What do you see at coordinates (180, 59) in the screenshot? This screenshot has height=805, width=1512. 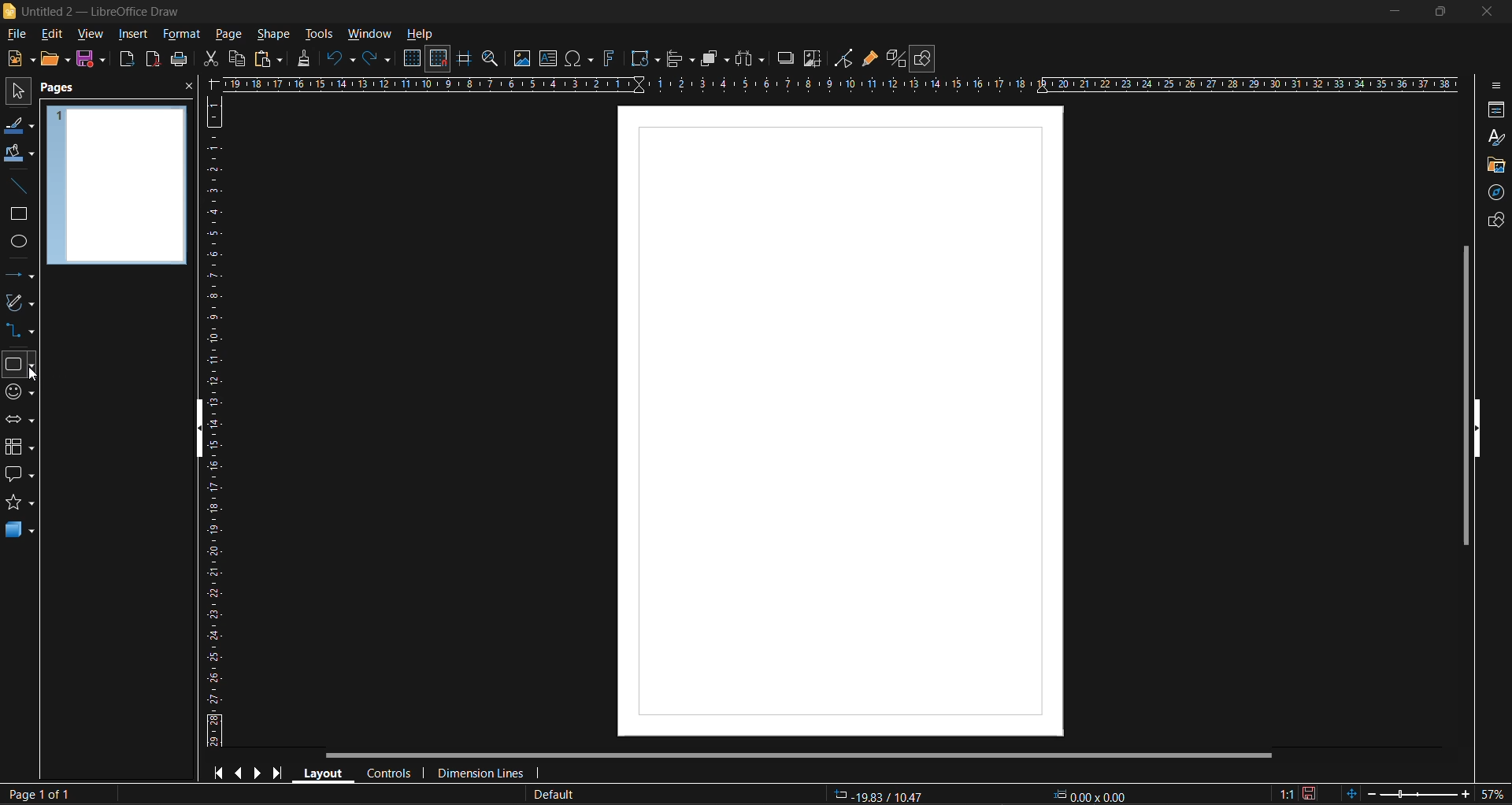 I see `save` at bounding box center [180, 59].